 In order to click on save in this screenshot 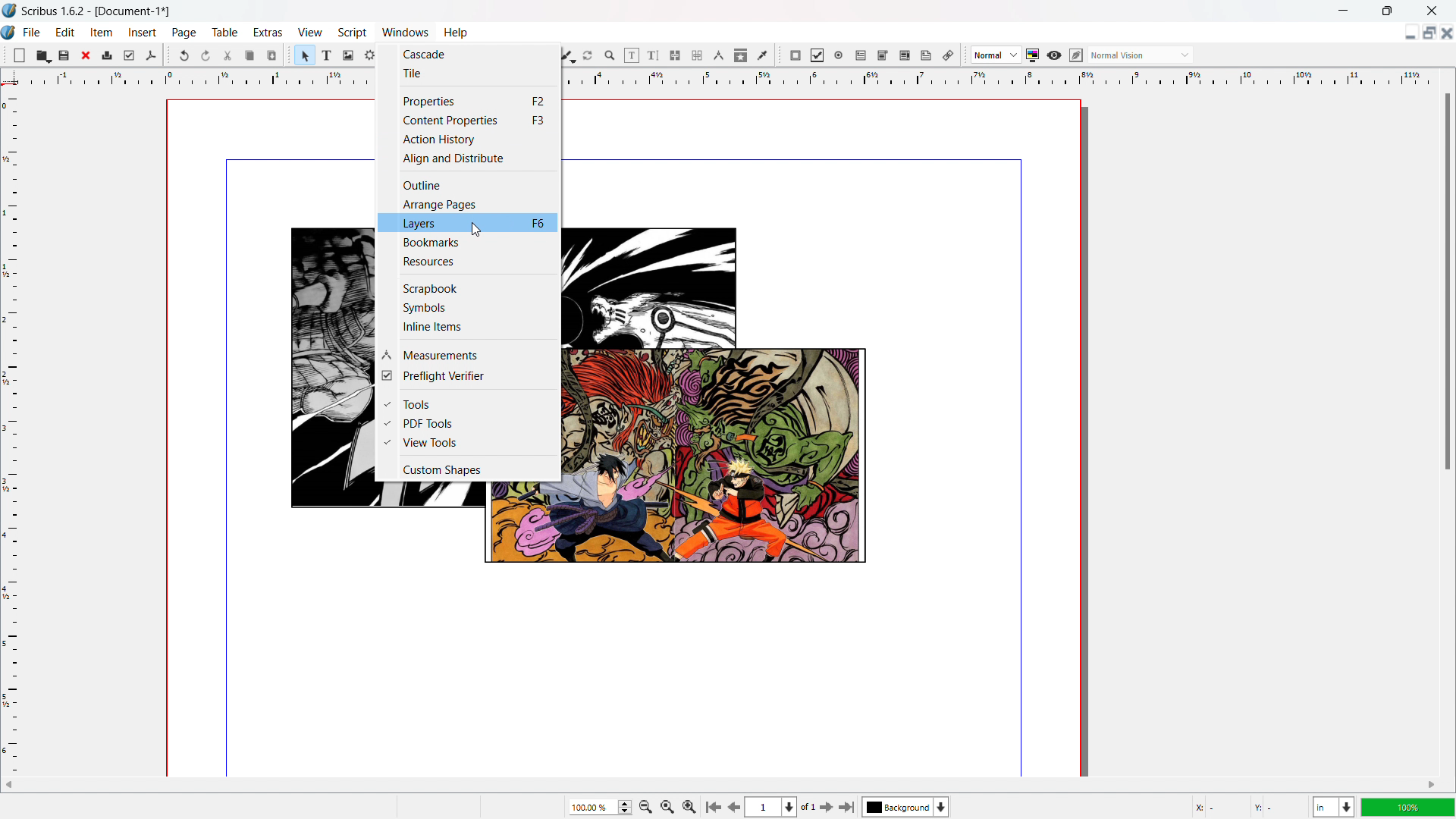, I will do `click(64, 56)`.